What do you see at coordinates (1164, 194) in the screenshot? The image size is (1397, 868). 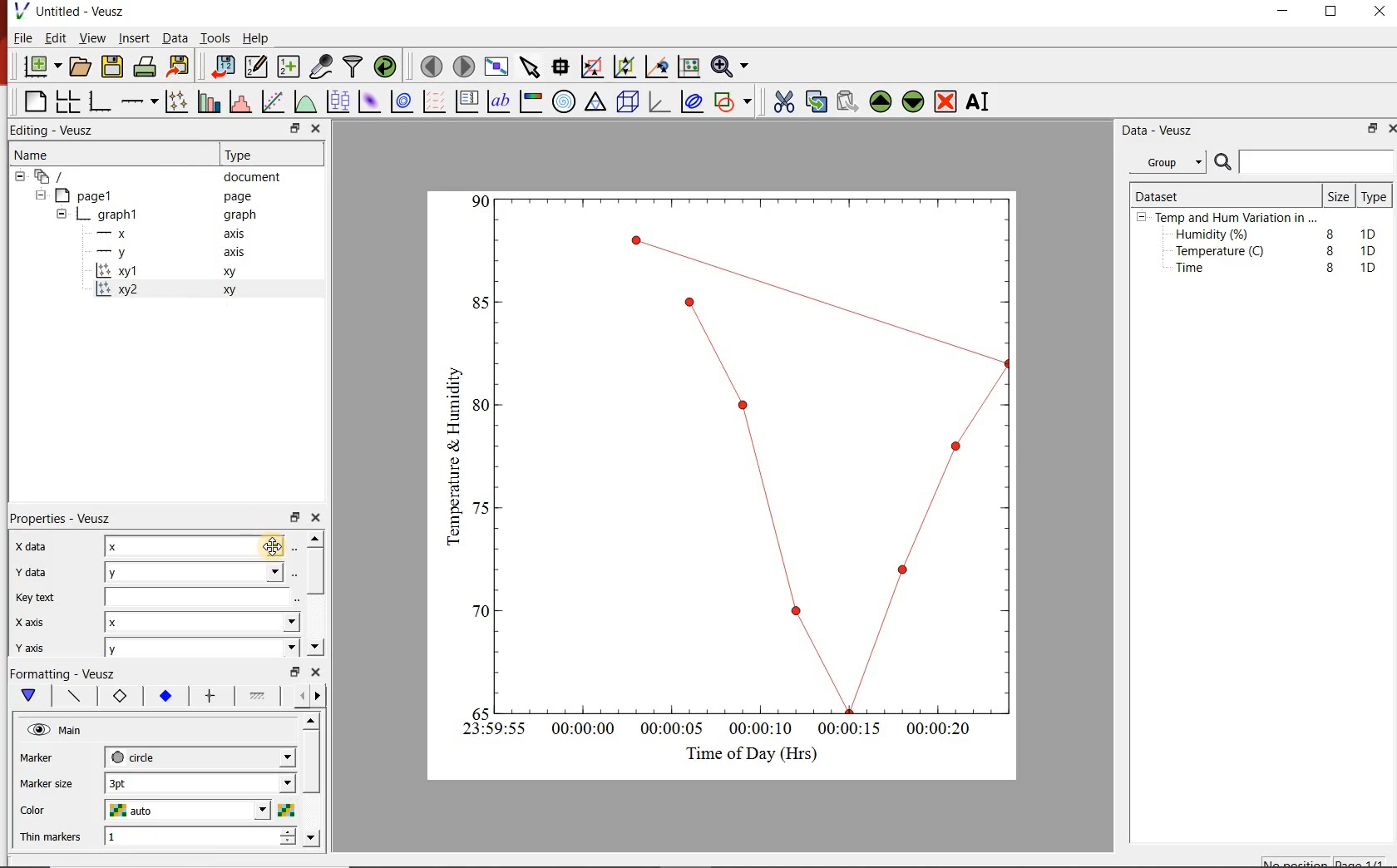 I see `Dataset` at bounding box center [1164, 194].